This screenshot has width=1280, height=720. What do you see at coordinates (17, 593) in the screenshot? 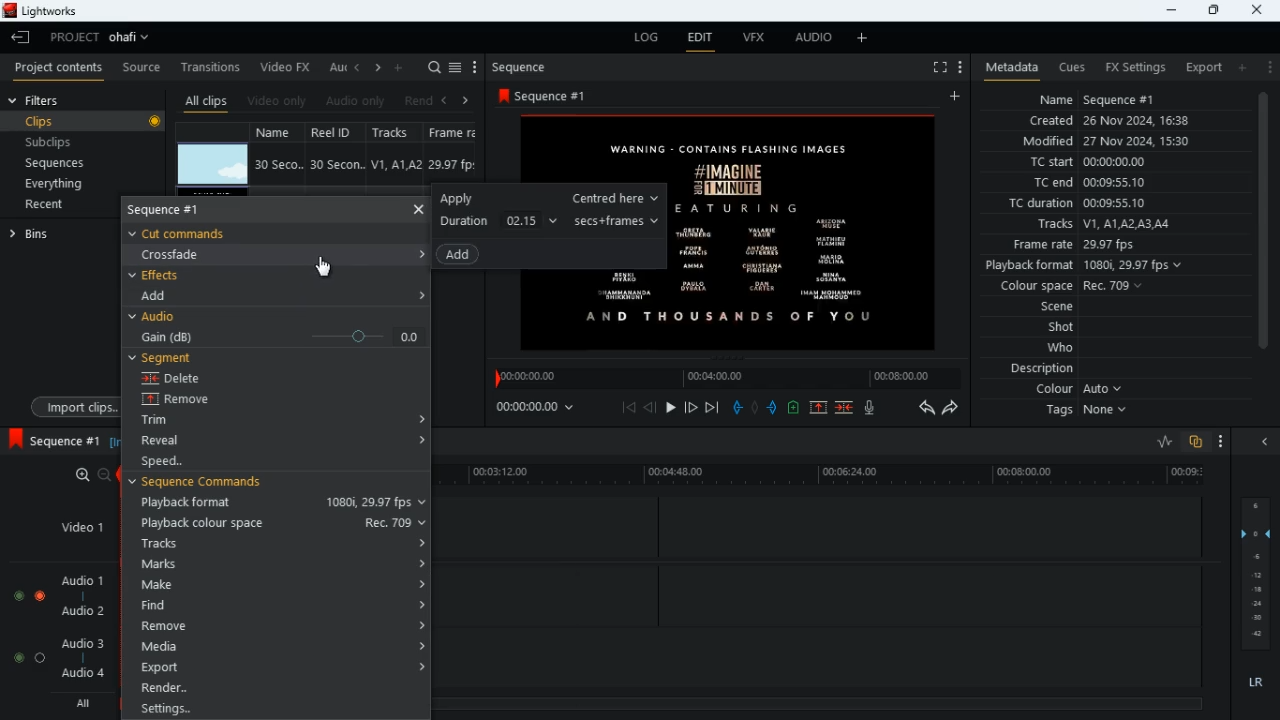
I see `toggle` at bounding box center [17, 593].